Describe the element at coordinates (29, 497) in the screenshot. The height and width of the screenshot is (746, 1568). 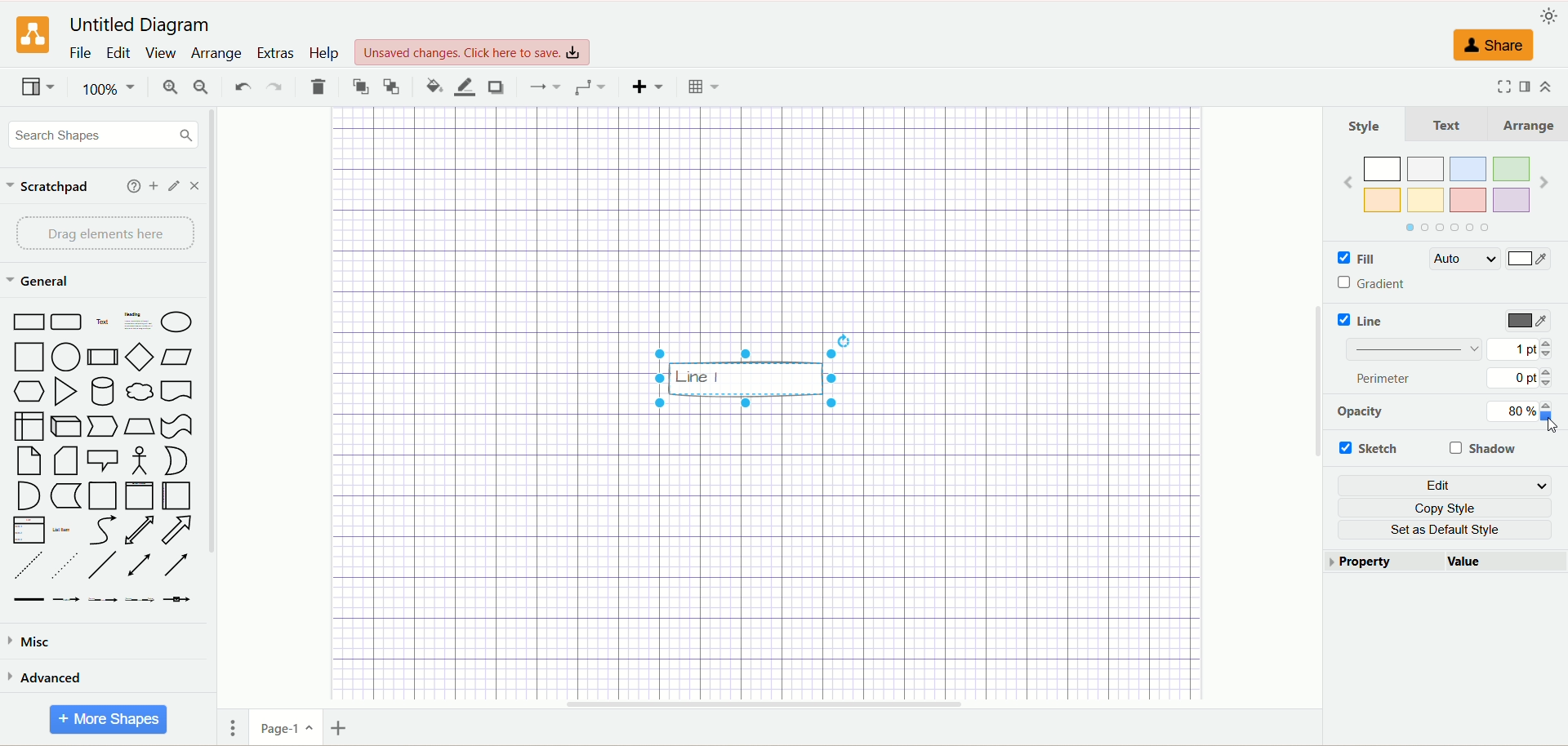
I see `And` at that location.